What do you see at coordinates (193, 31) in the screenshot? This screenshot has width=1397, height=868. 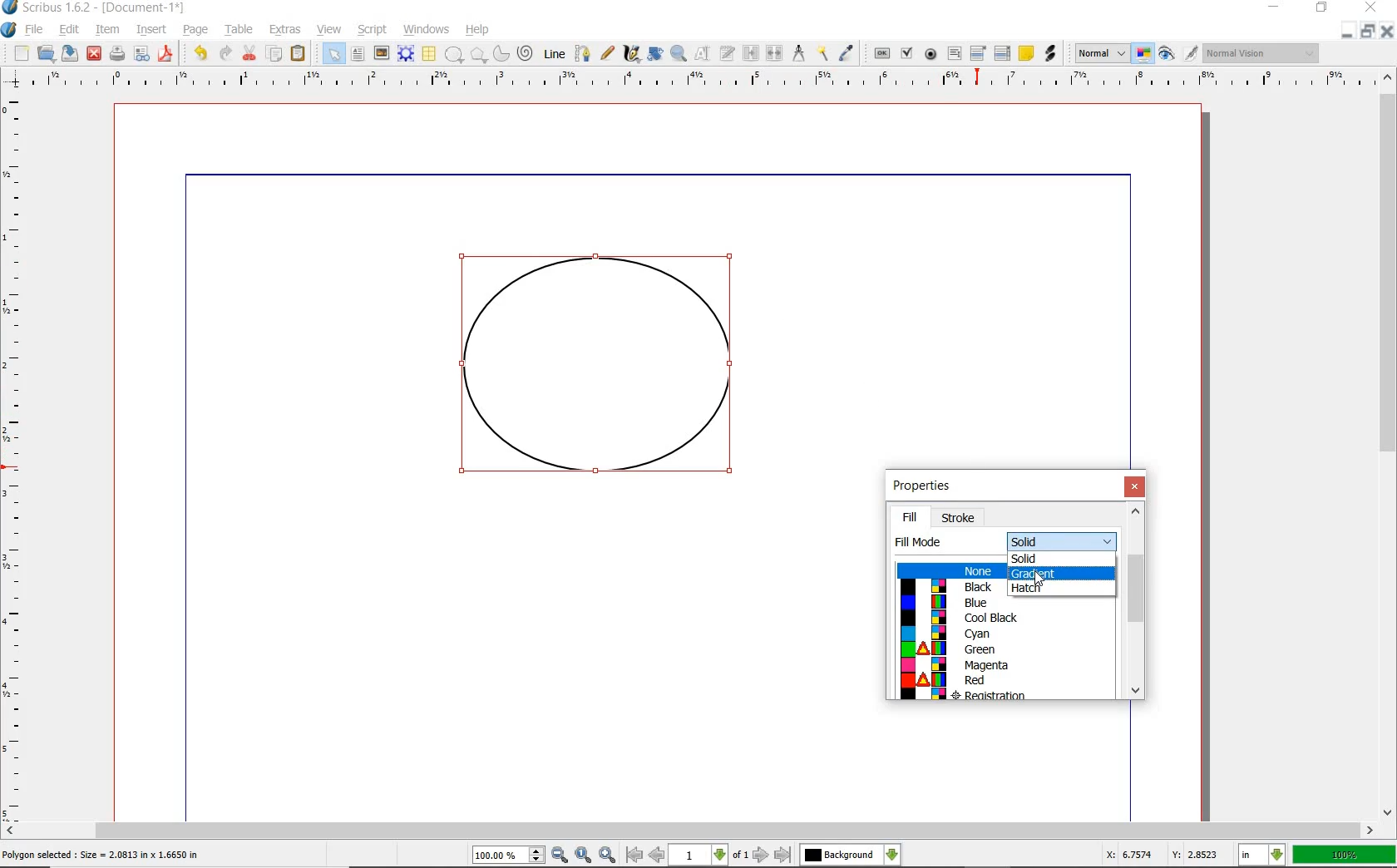 I see `PAGE` at bounding box center [193, 31].